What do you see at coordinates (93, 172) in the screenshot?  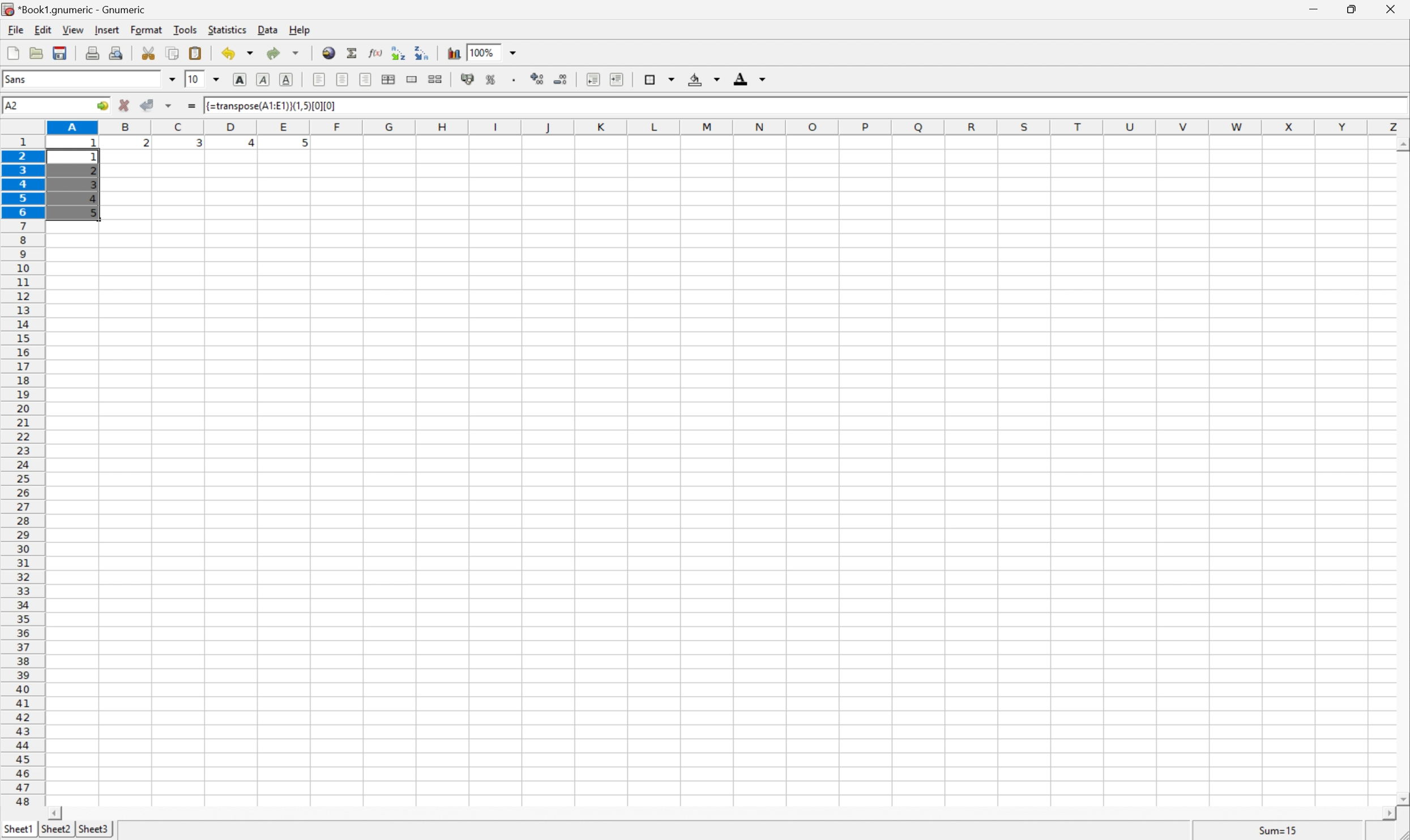 I see `2` at bounding box center [93, 172].